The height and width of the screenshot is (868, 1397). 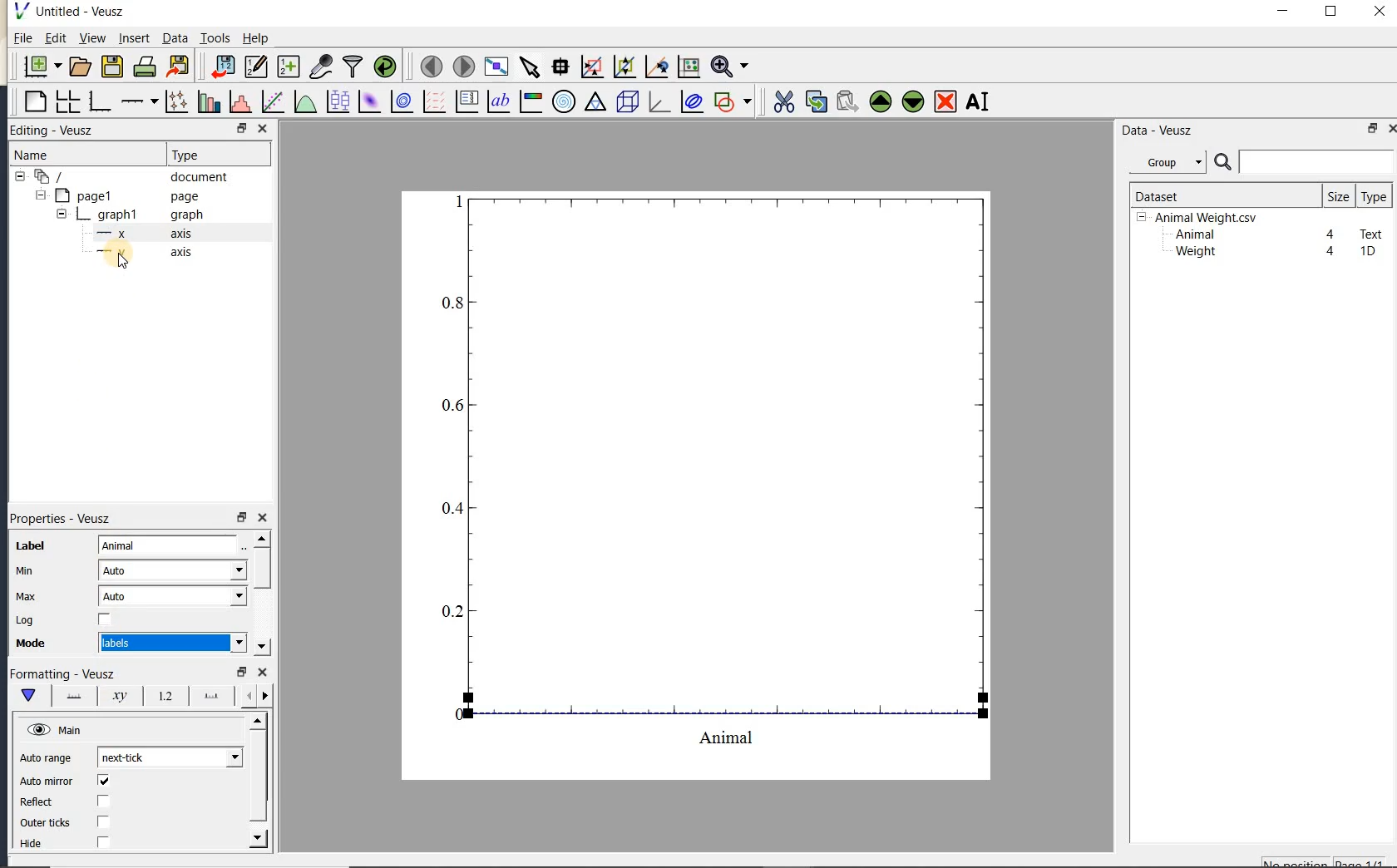 What do you see at coordinates (240, 672) in the screenshot?
I see `restore` at bounding box center [240, 672].